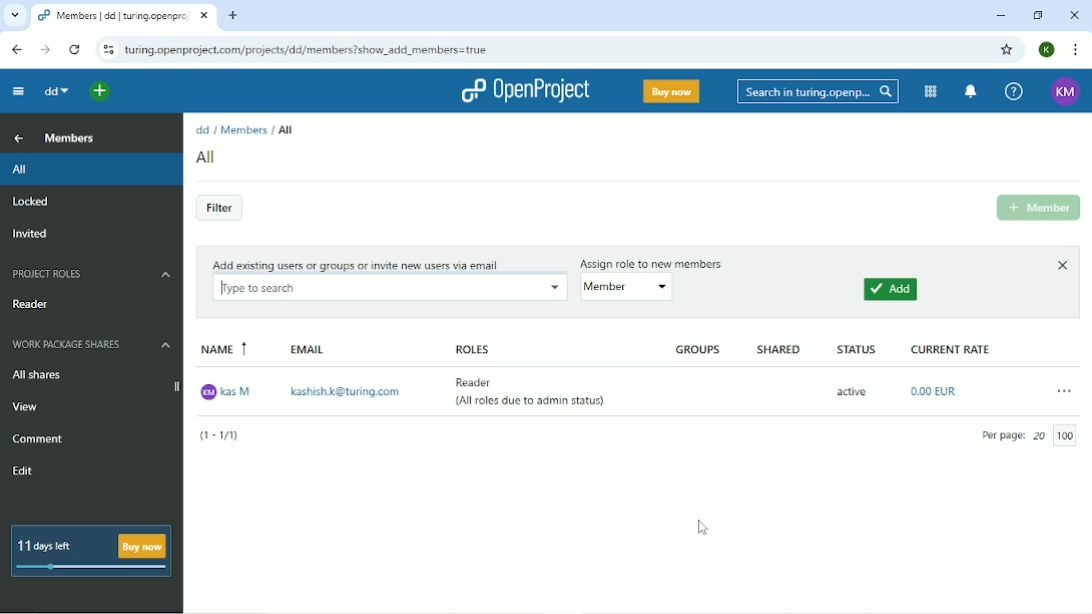 Image resolution: width=1092 pixels, height=614 pixels. What do you see at coordinates (388, 288) in the screenshot?
I see `Type to search` at bounding box center [388, 288].